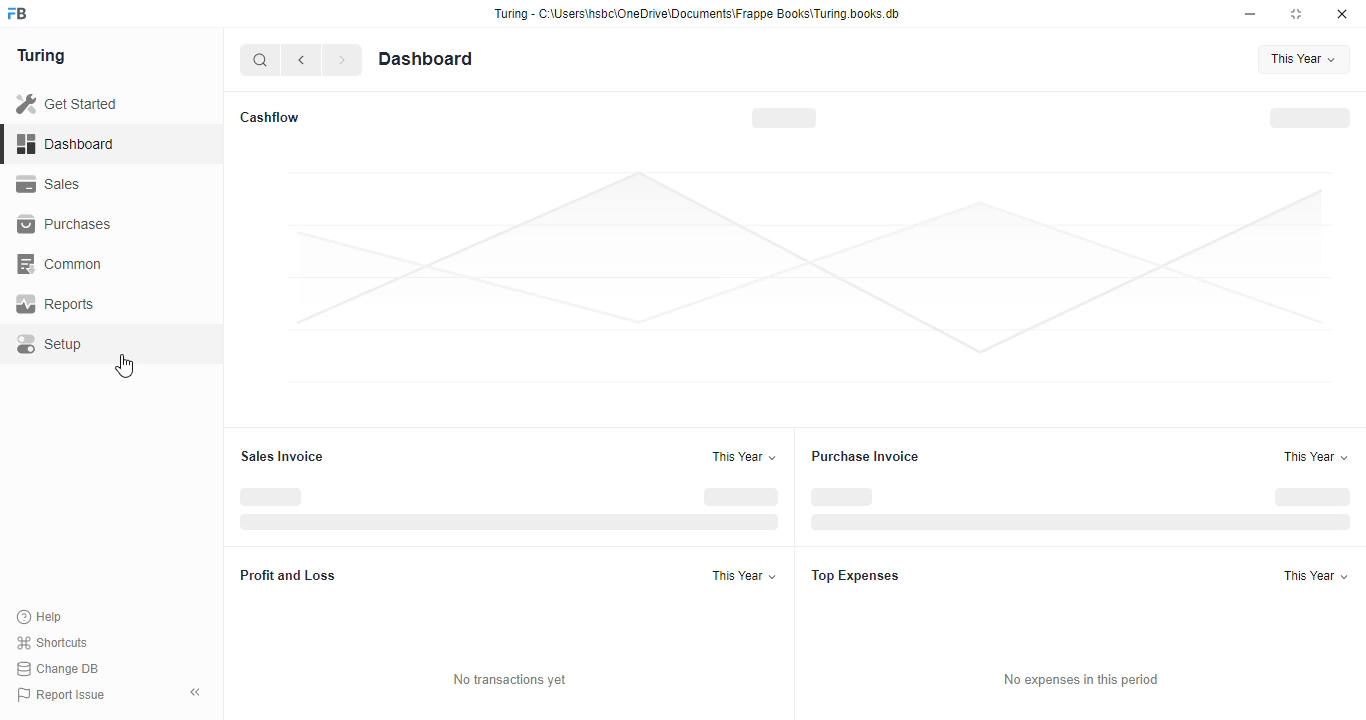 This screenshot has height=720, width=1366. Describe the element at coordinates (64, 224) in the screenshot. I see `purchases` at that location.